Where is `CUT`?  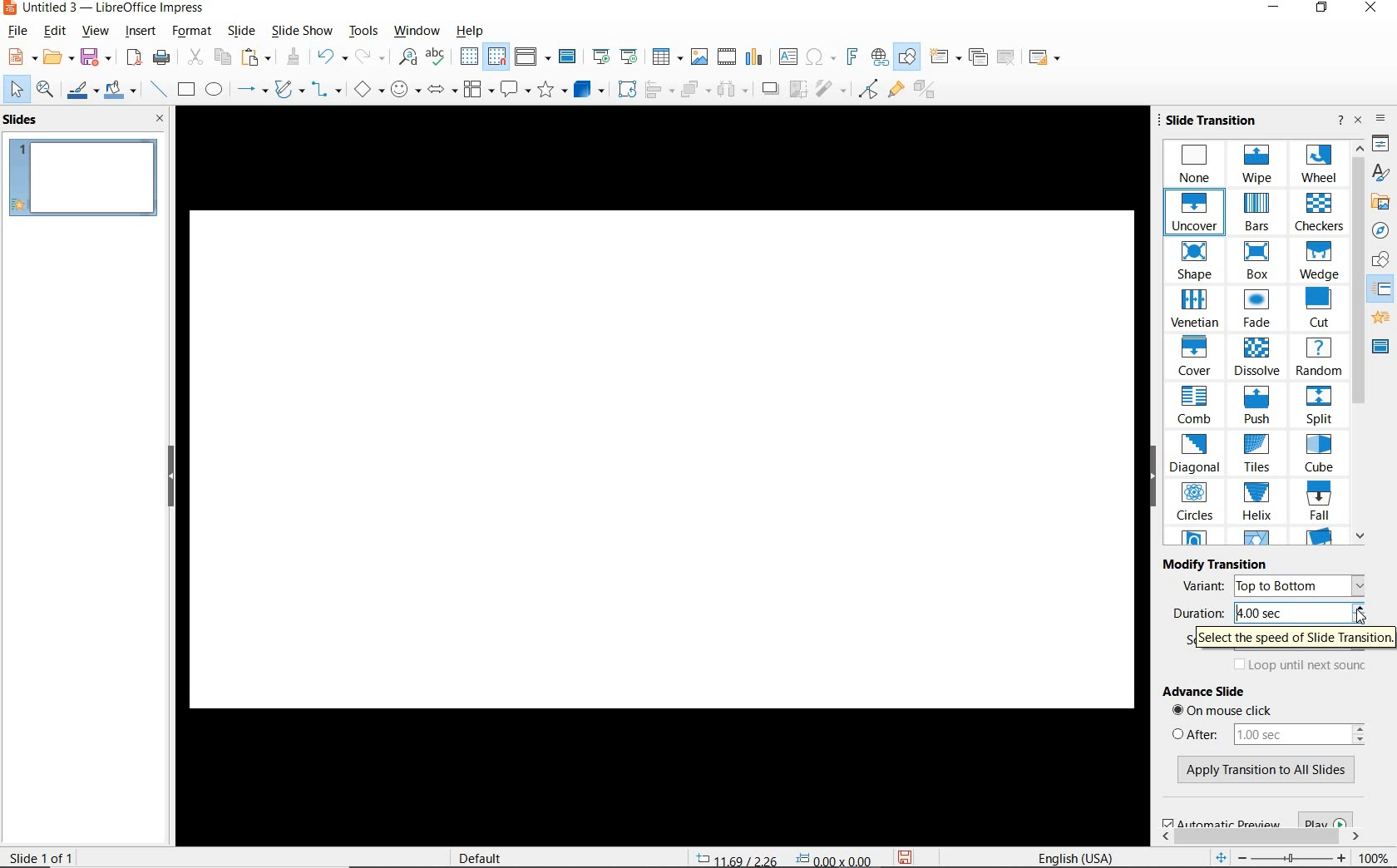 CUT is located at coordinates (195, 56).